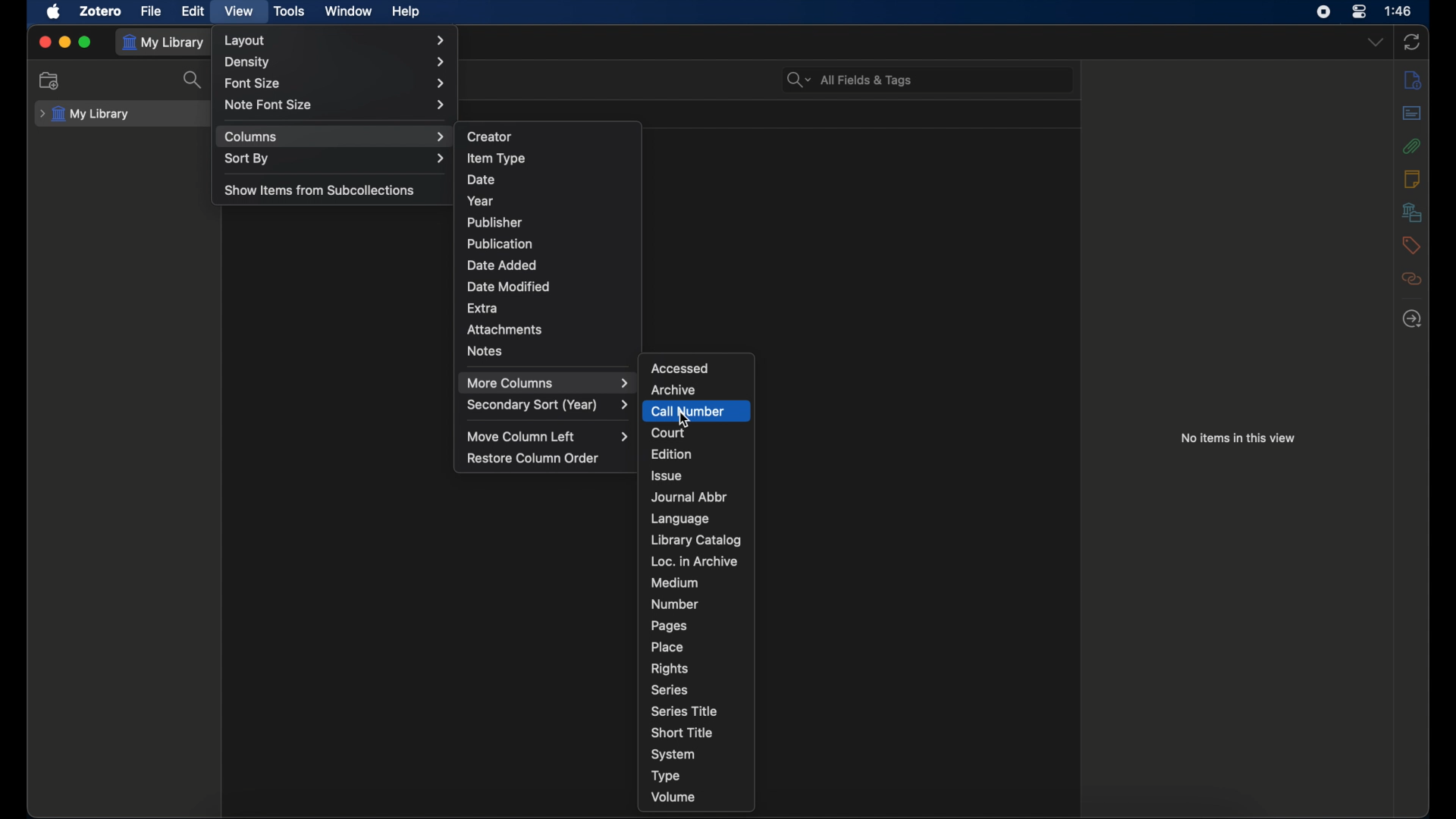 The image size is (1456, 819). What do you see at coordinates (669, 435) in the screenshot?
I see `court` at bounding box center [669, 435].